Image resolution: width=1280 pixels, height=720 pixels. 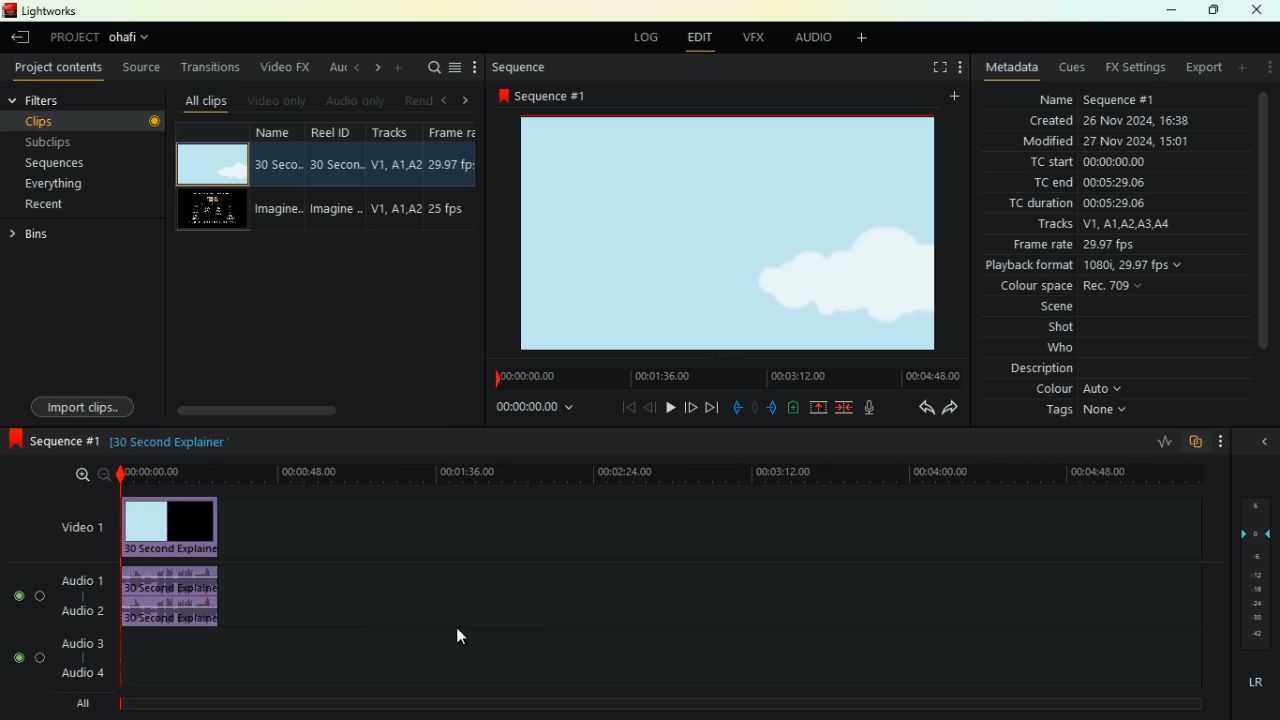 What do you see at coordinates (175, 597) in the screenshot?
I see `audio` at bounding box center [175, 597].